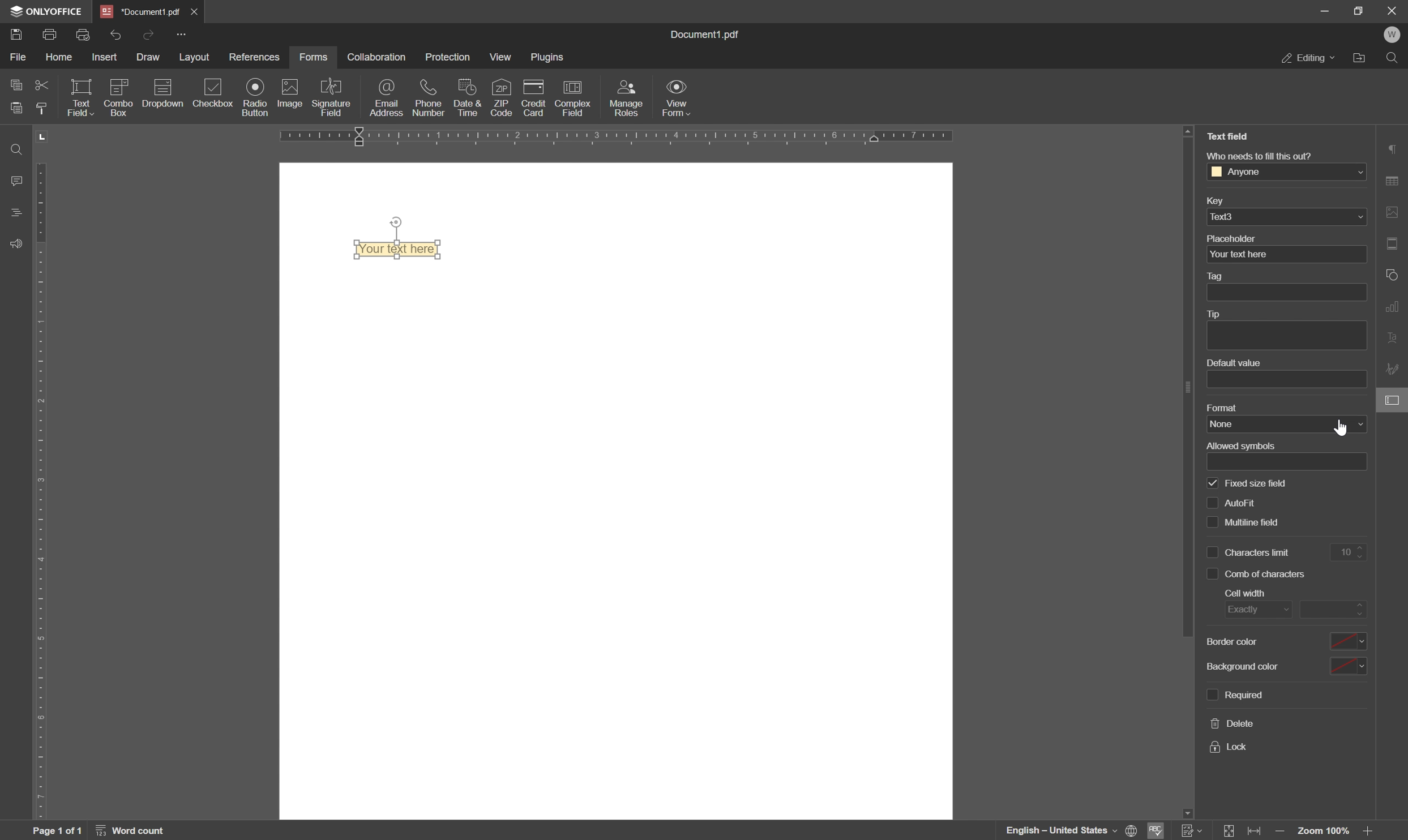 The image size is (1408, 840). What do you see at coordinates (1359, 58) in the screenshot?
I see `open file location` at bounding box center [1359, 58].